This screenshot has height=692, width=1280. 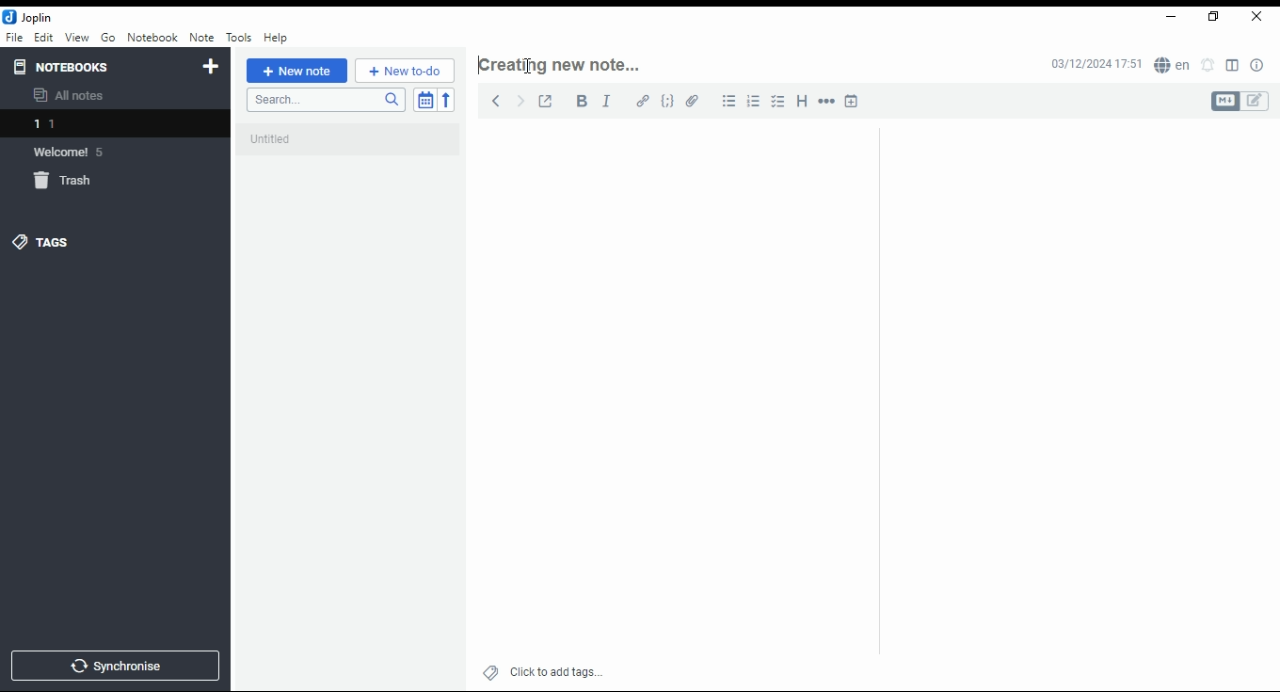 What do you see at coordinates (349, 142) in the screenshot?
I see `untitled` at bounding box center [349, 142].